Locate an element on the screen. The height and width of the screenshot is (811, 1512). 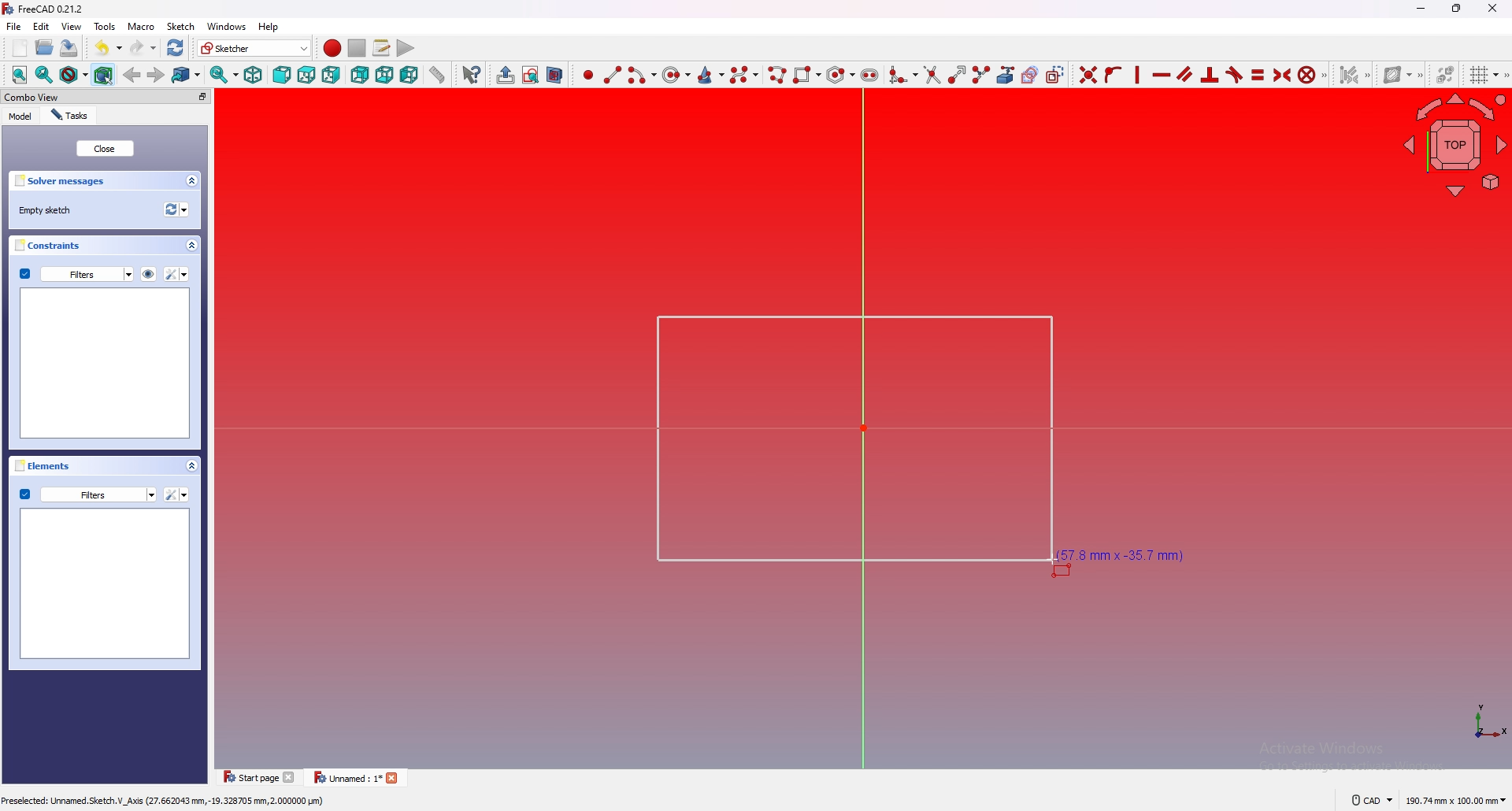
refresh is located at coordinates (176, 48).